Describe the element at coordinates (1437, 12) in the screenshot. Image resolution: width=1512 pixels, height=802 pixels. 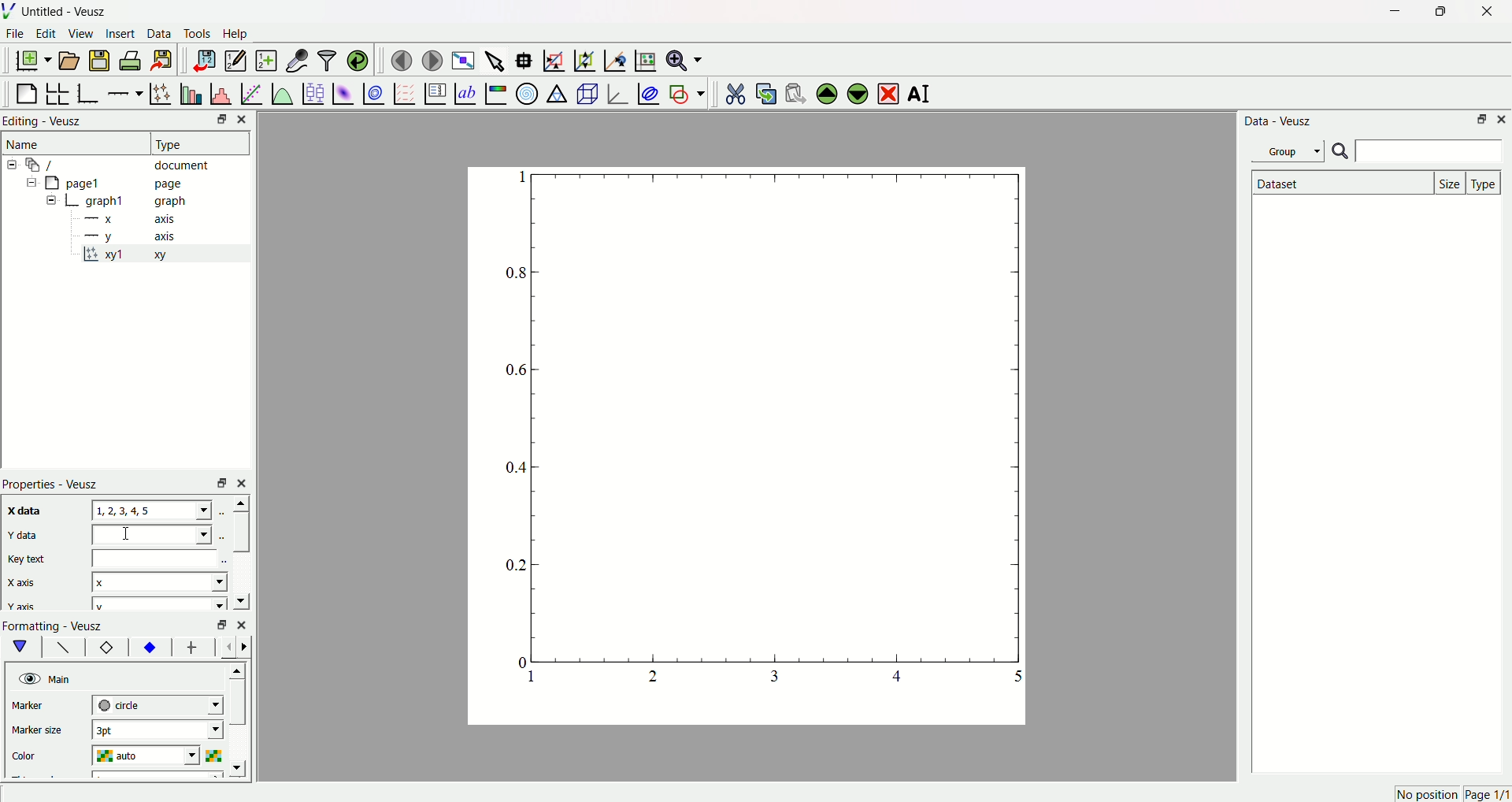
I see `Maximize` at that location.